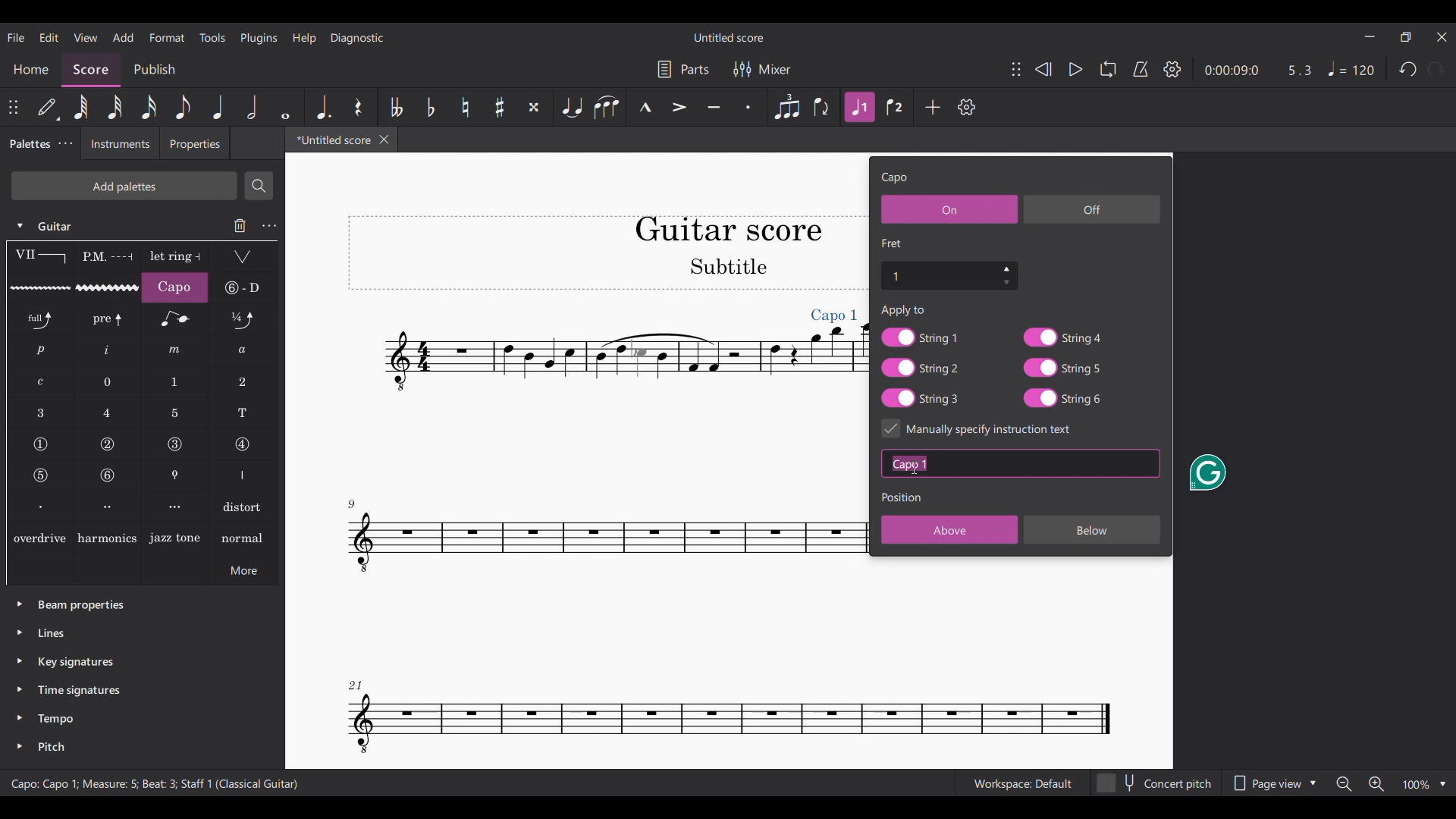 The width and height of the screenshot is (1456, 819). Describe the element at coordinates (1436, 69) in the screenshot. I see `Redo` at that location.